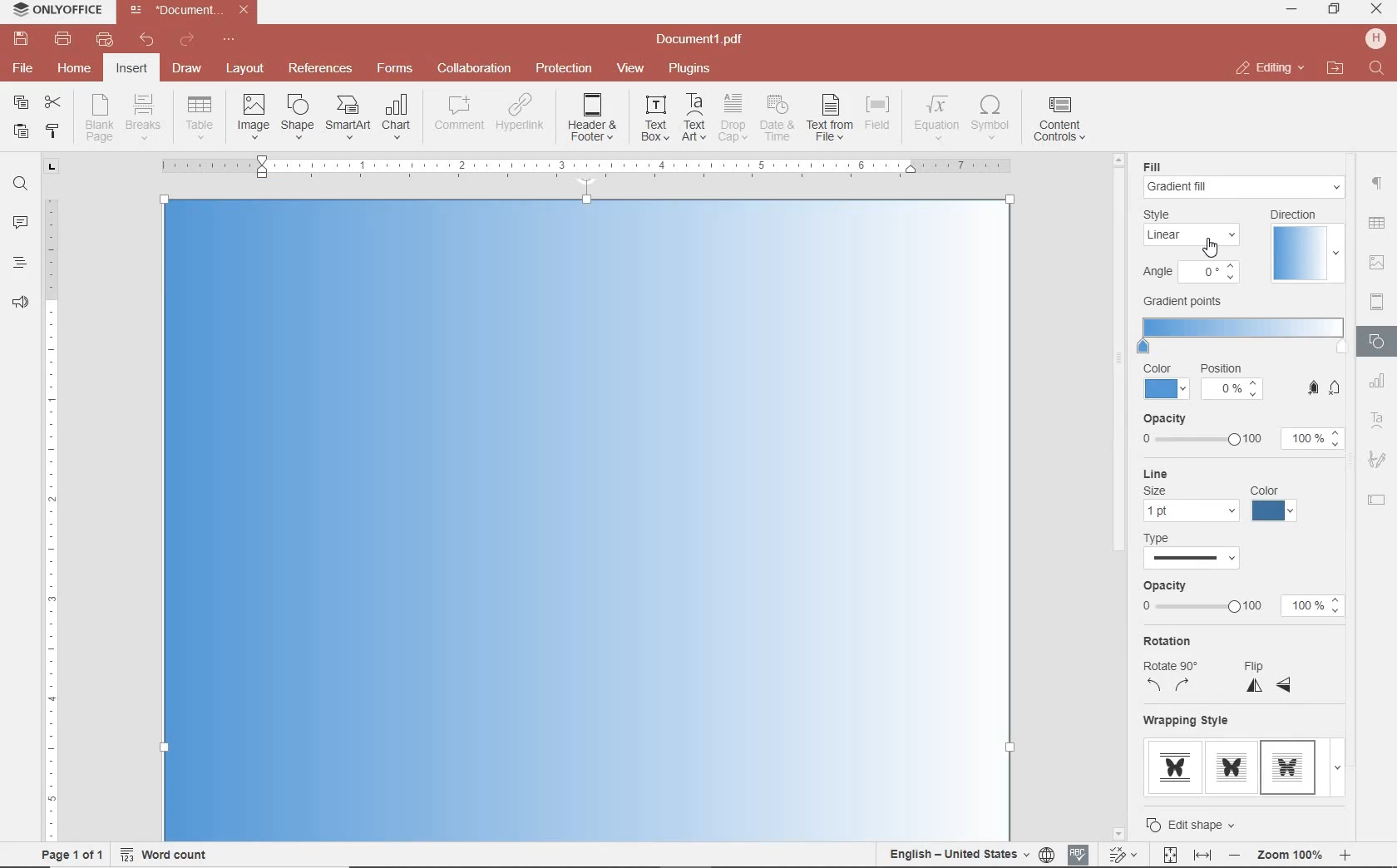 This screenshot has width=1397, height=868. What do you see at coordinates (1184, 856) in the screenshot?
I see `fit to page and width` at bounding box center [1184, 856].